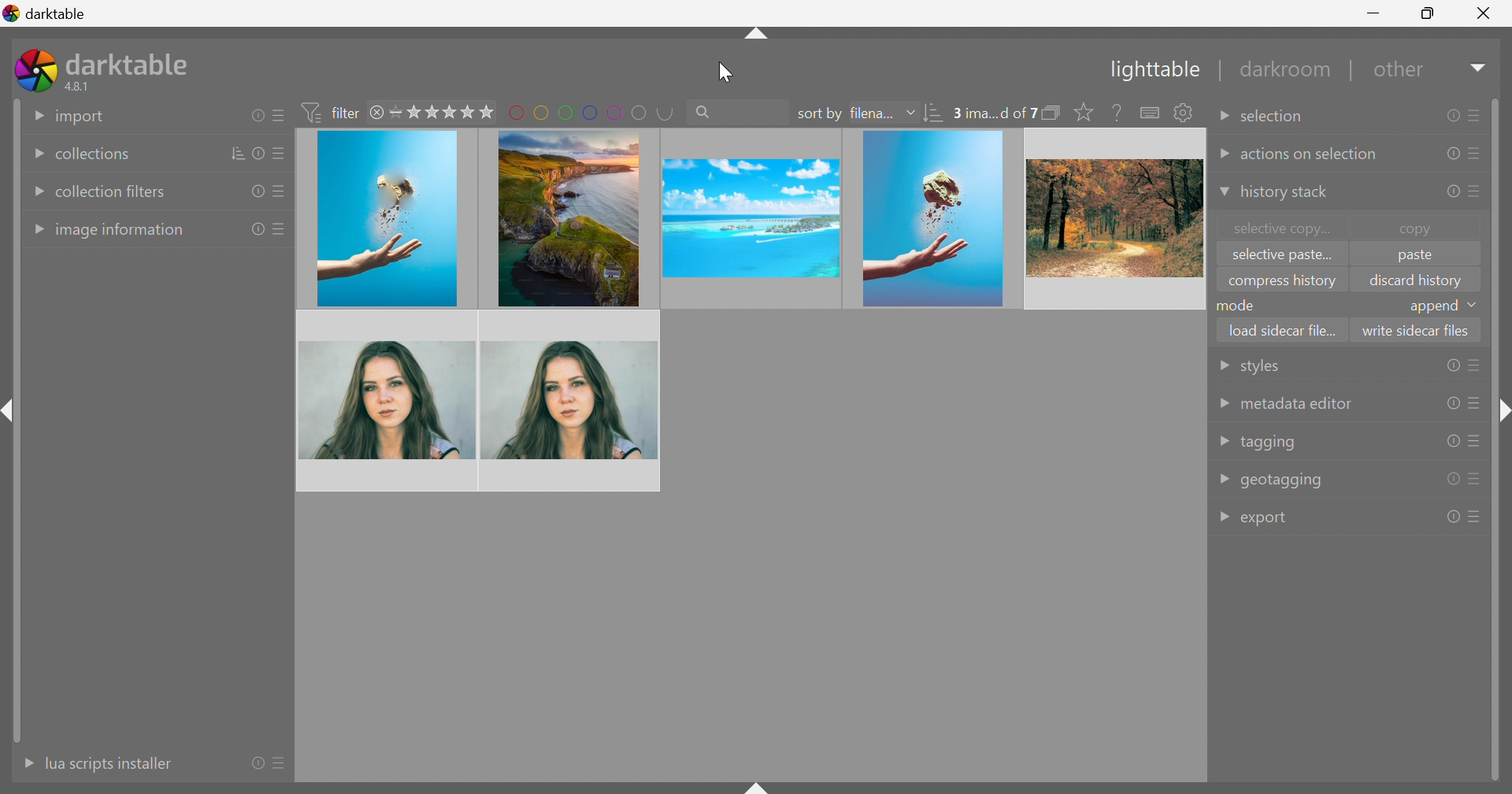 The image size is (1512, 794). Describe the element at coordinates (35, 230) in the screenshot. I see `Drop Down` at that location.